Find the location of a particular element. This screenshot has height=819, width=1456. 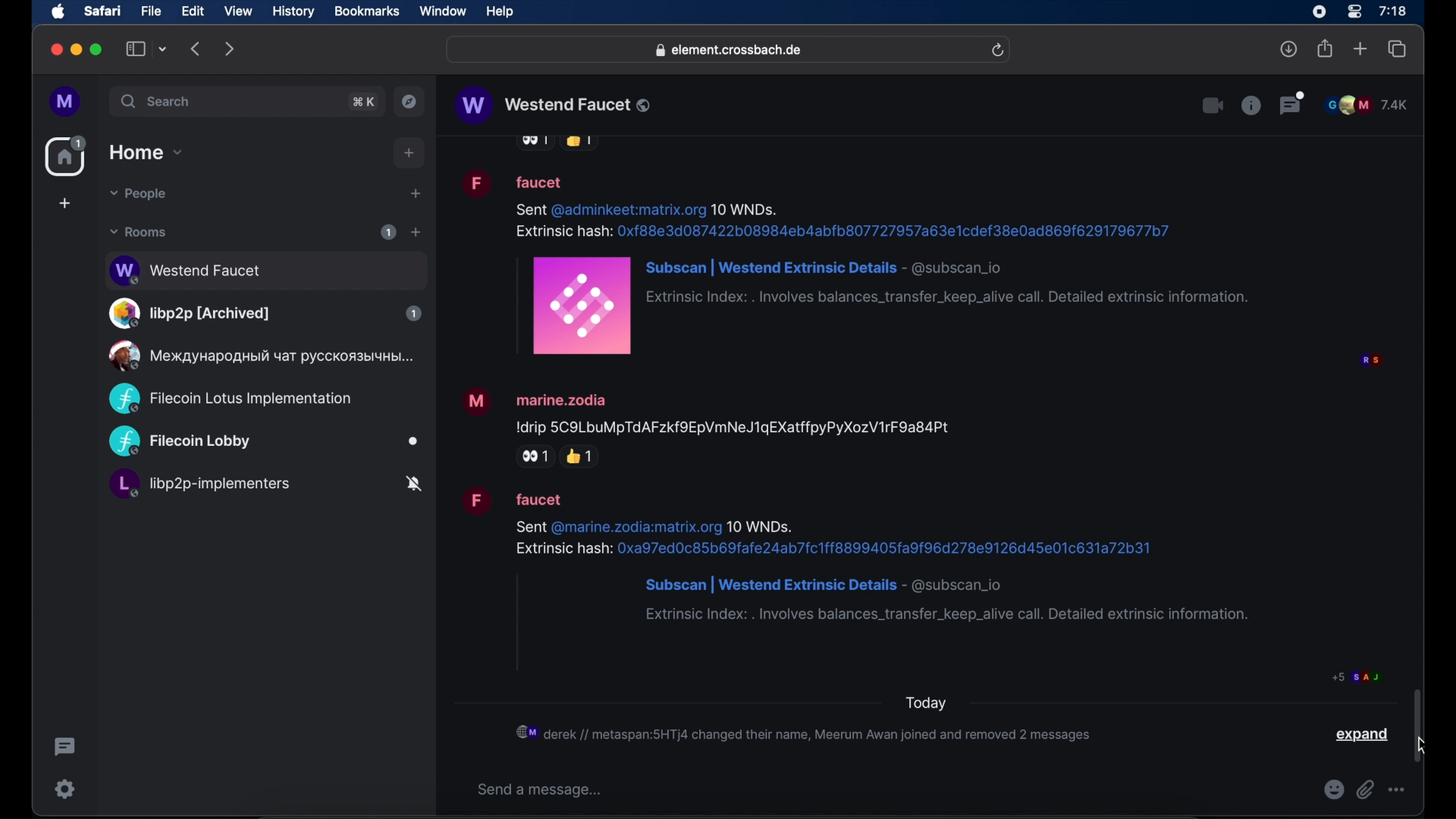

room info is located at coordinates (1250, 105).